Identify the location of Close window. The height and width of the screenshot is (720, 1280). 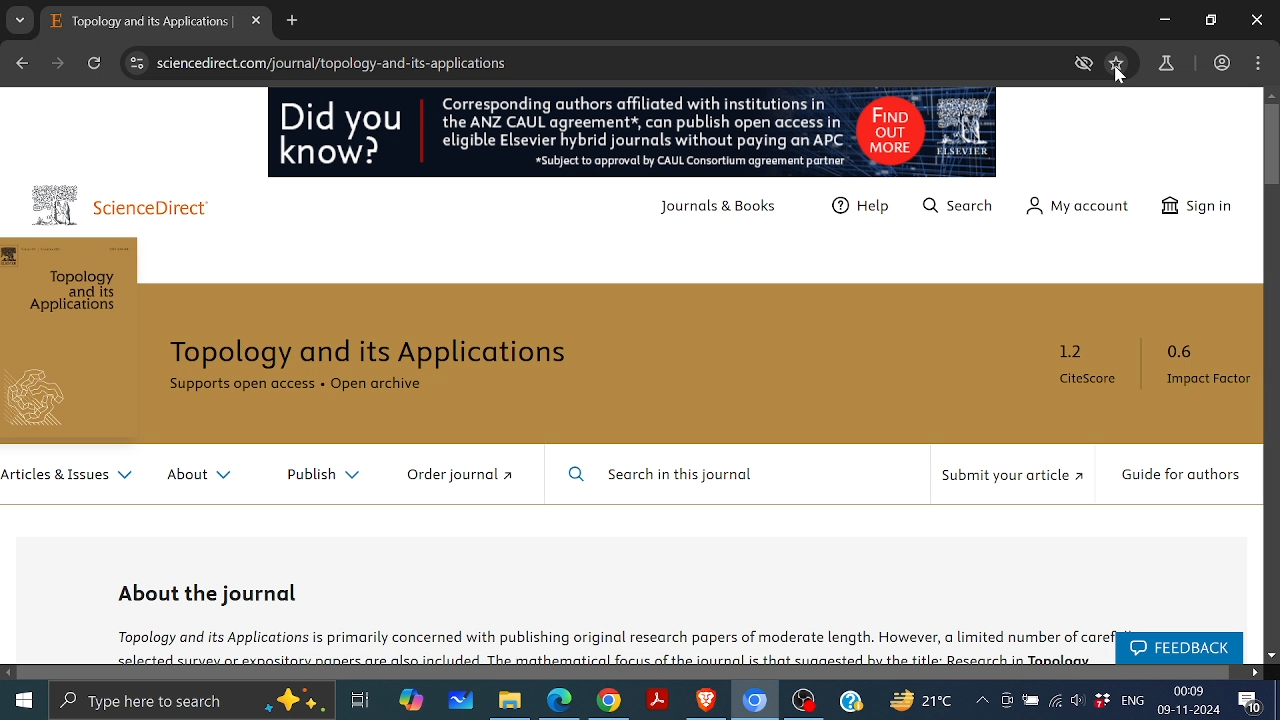
(1257, 20).